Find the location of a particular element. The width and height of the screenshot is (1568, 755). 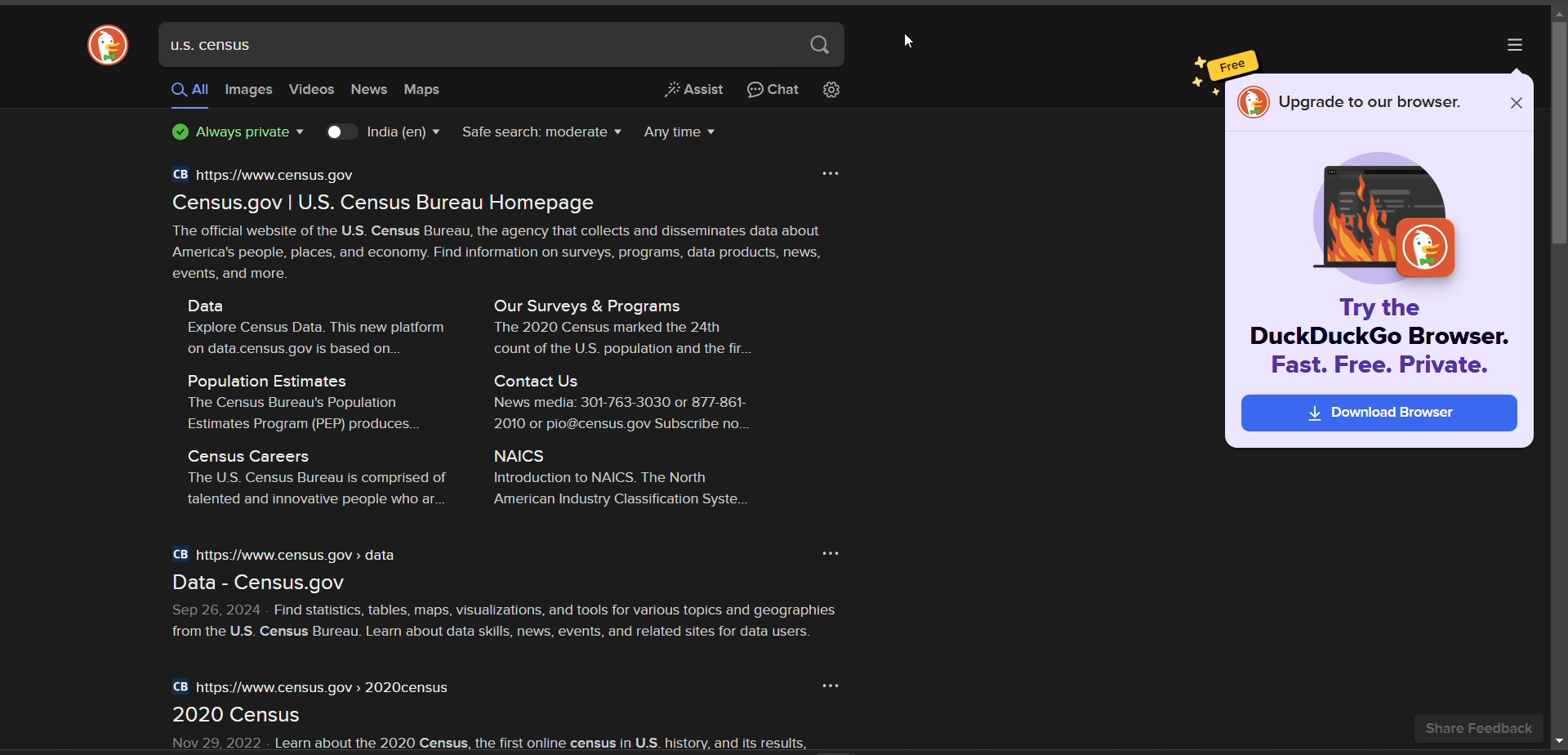

share feedback is located at coordinates (1473, 728).